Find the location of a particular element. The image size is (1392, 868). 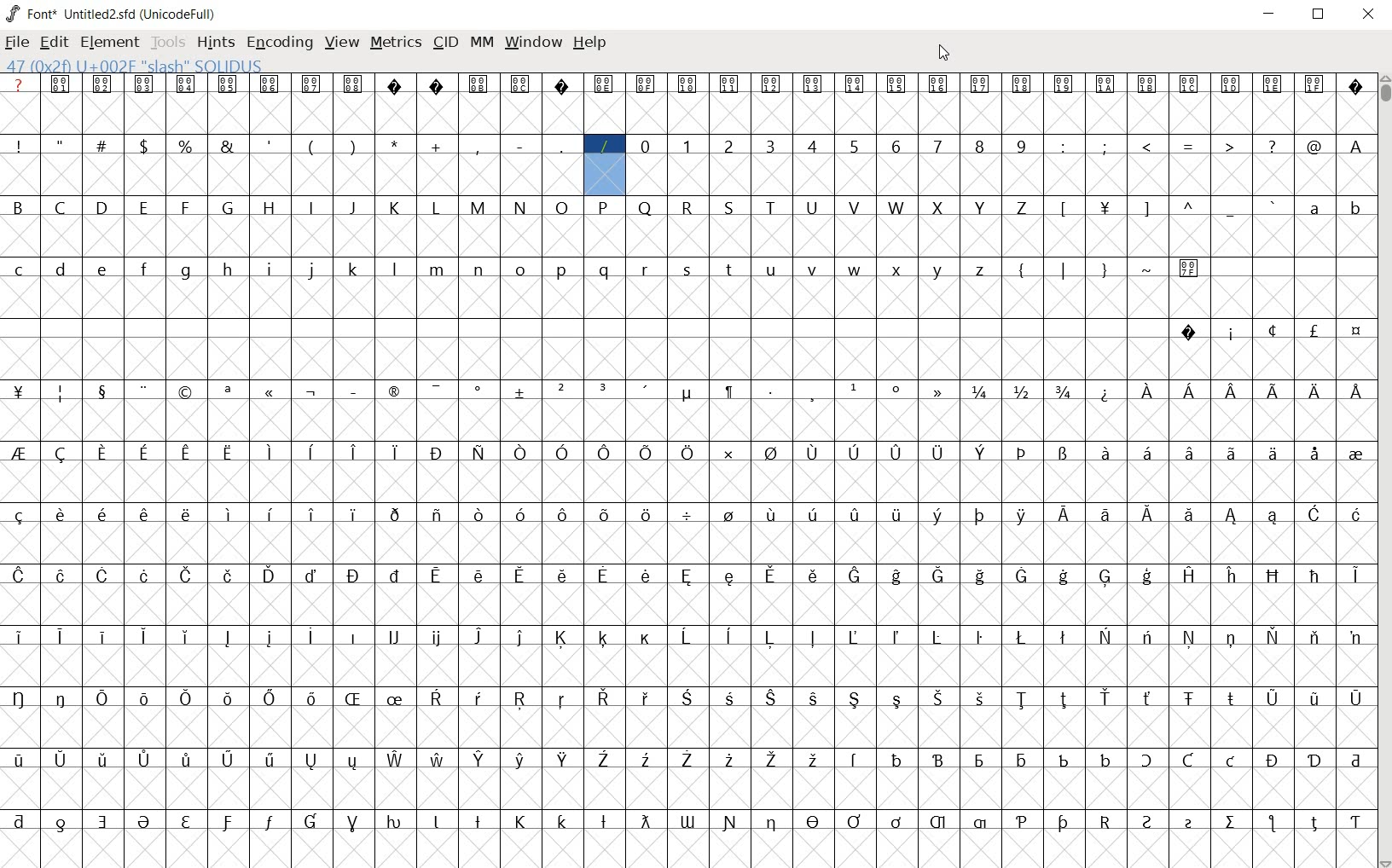

glyph is located at coordinates (478, 516).